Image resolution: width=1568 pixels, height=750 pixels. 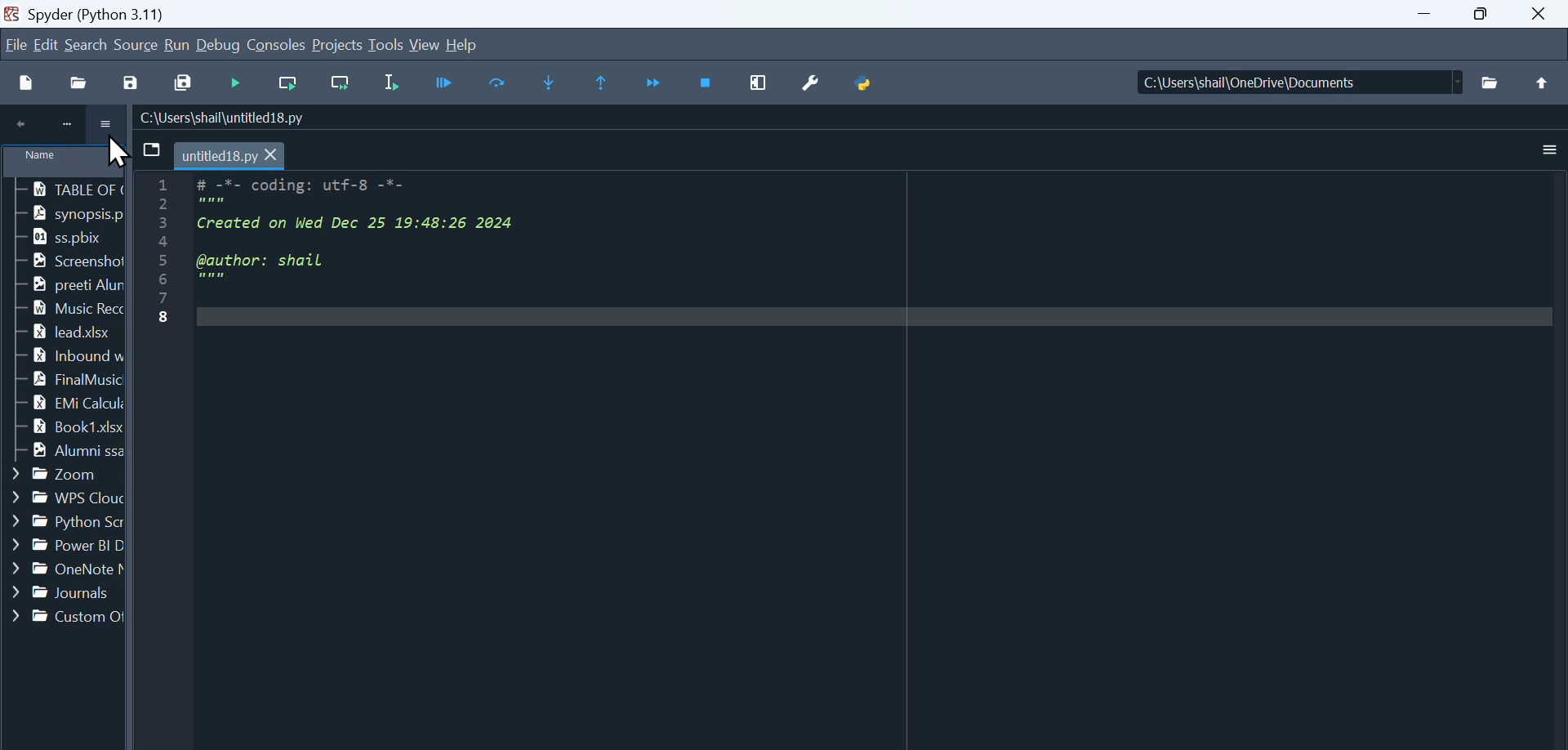 What do you see at coordinates (817, 81) in the screenshot?
I see `Preferences` at bounding box center [817, 81].